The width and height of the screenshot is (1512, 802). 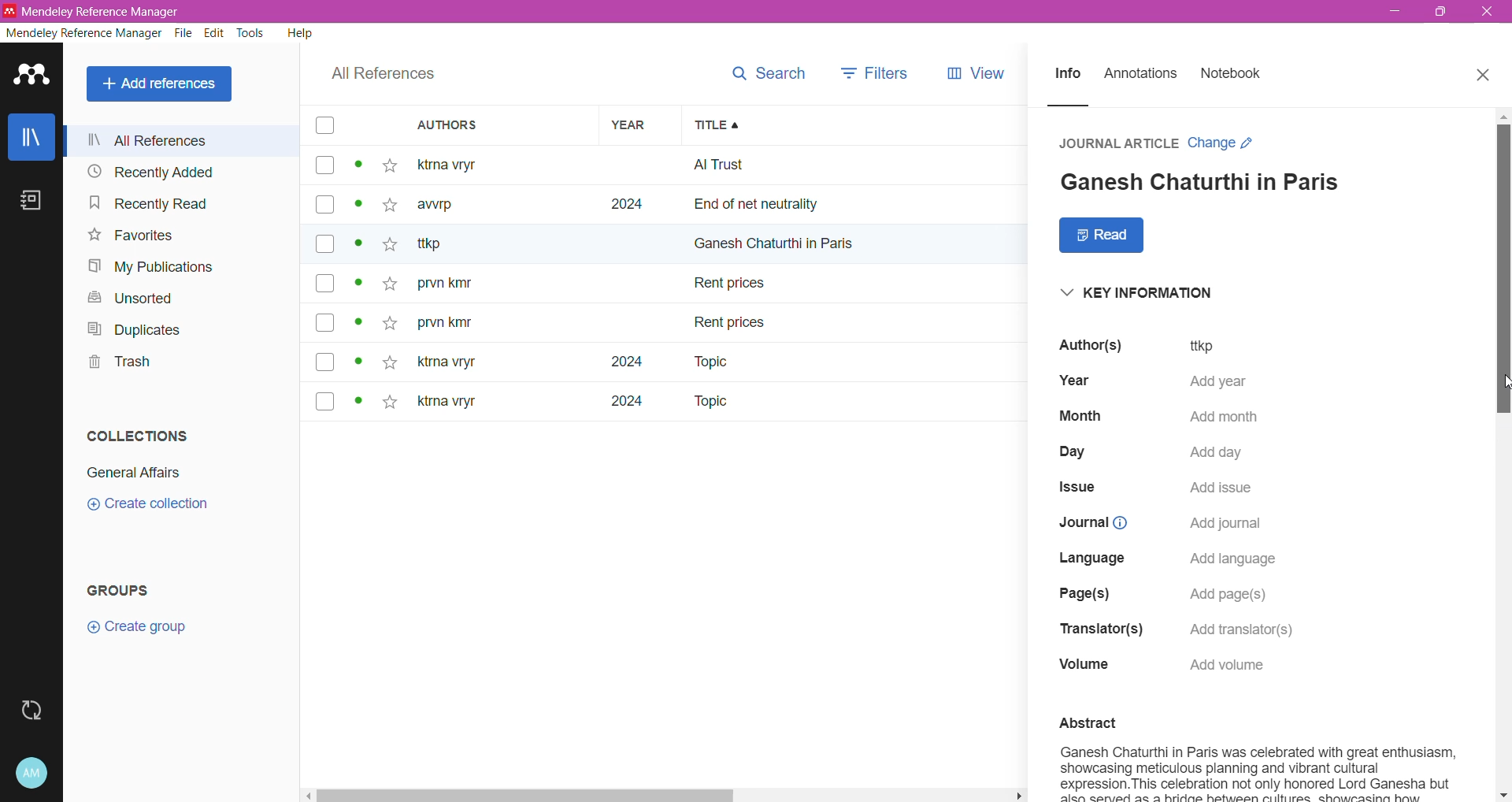 I want to click on Minimize, so click(x=1391, y=12).